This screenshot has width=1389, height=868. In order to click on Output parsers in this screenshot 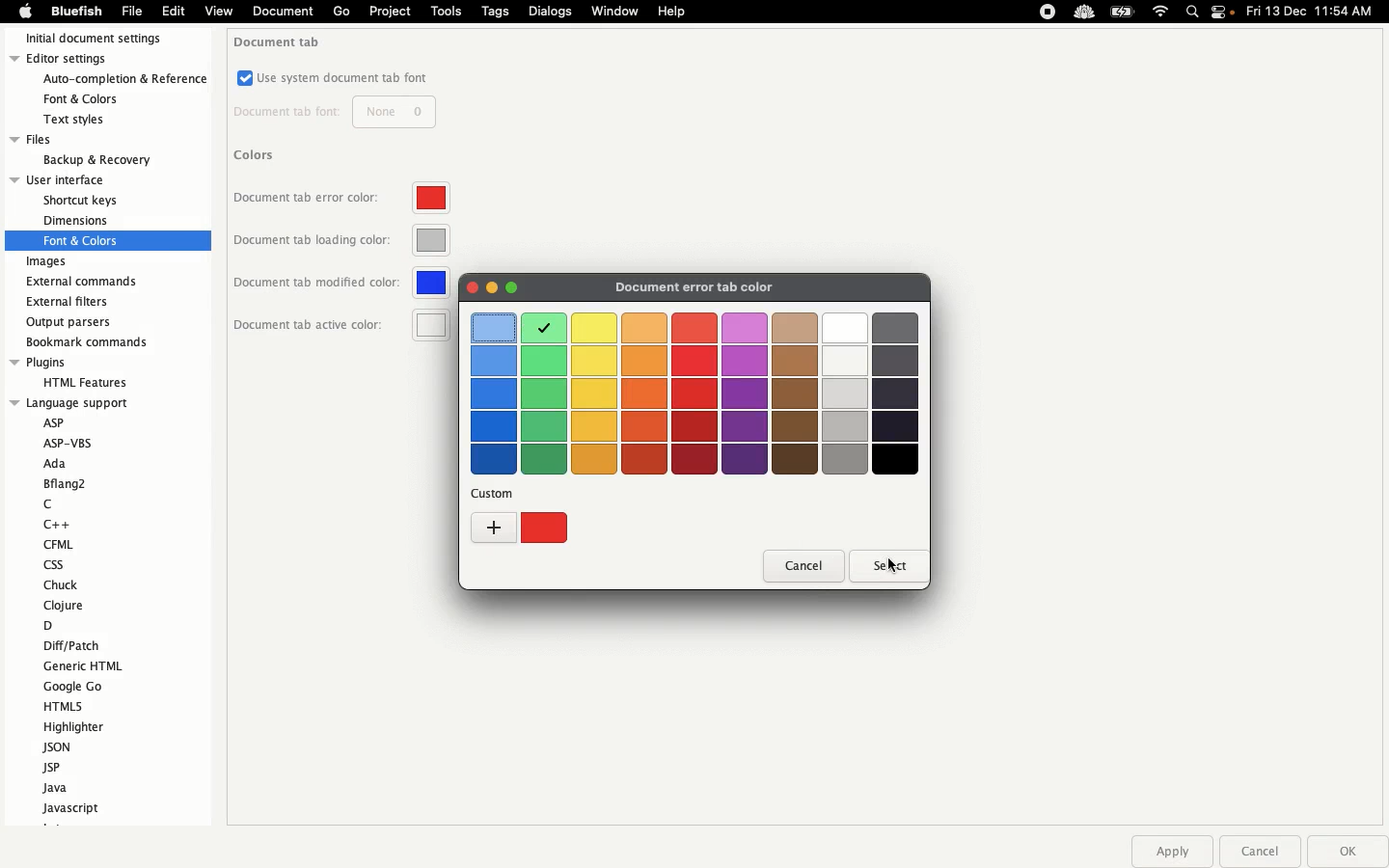, I will do `click(73, 322)`.